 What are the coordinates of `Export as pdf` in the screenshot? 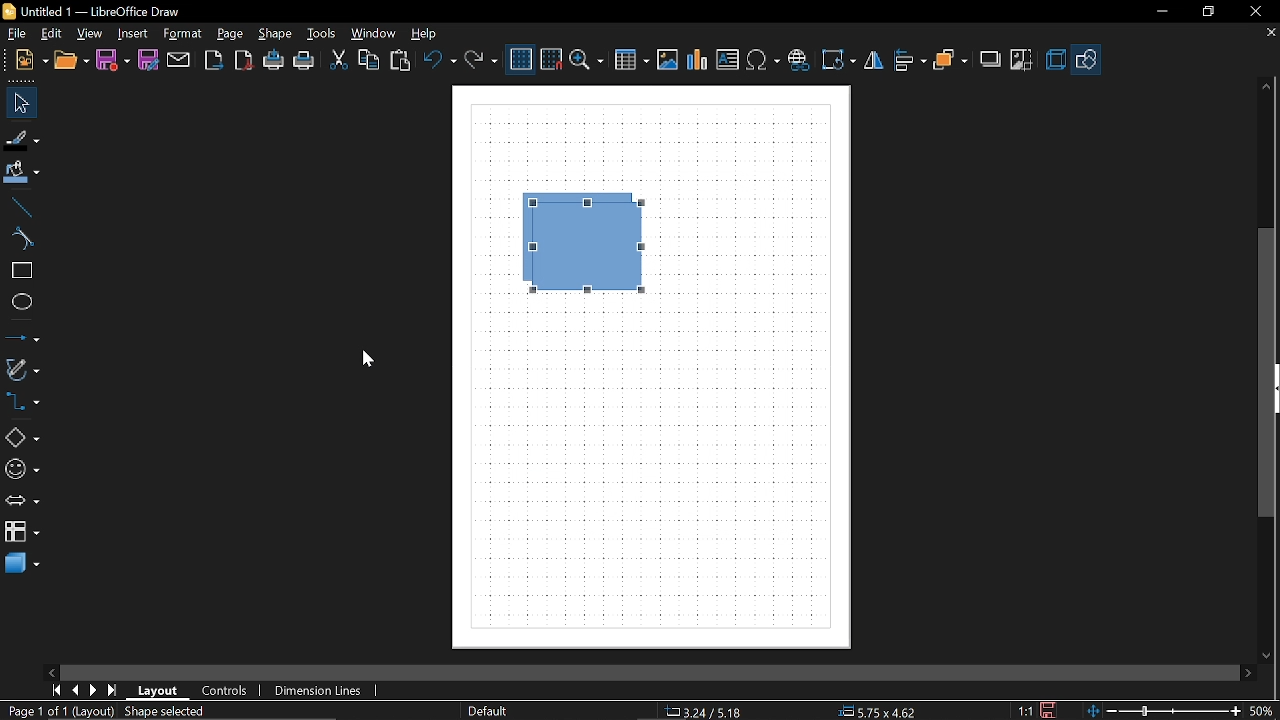 It's located at (244, 62).